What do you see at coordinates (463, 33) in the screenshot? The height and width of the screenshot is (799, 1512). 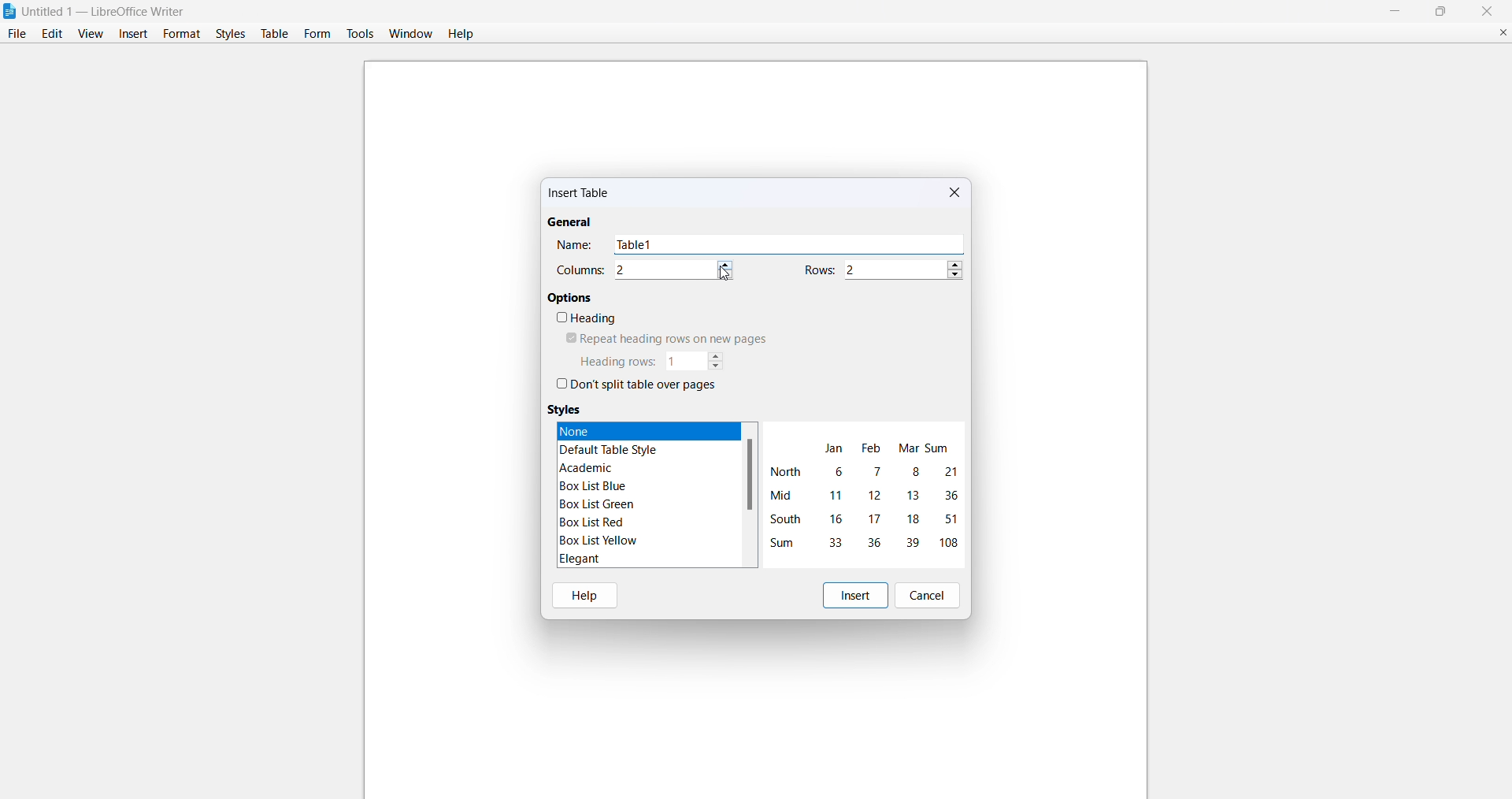 I see `help` at bounding box center [463, 33].